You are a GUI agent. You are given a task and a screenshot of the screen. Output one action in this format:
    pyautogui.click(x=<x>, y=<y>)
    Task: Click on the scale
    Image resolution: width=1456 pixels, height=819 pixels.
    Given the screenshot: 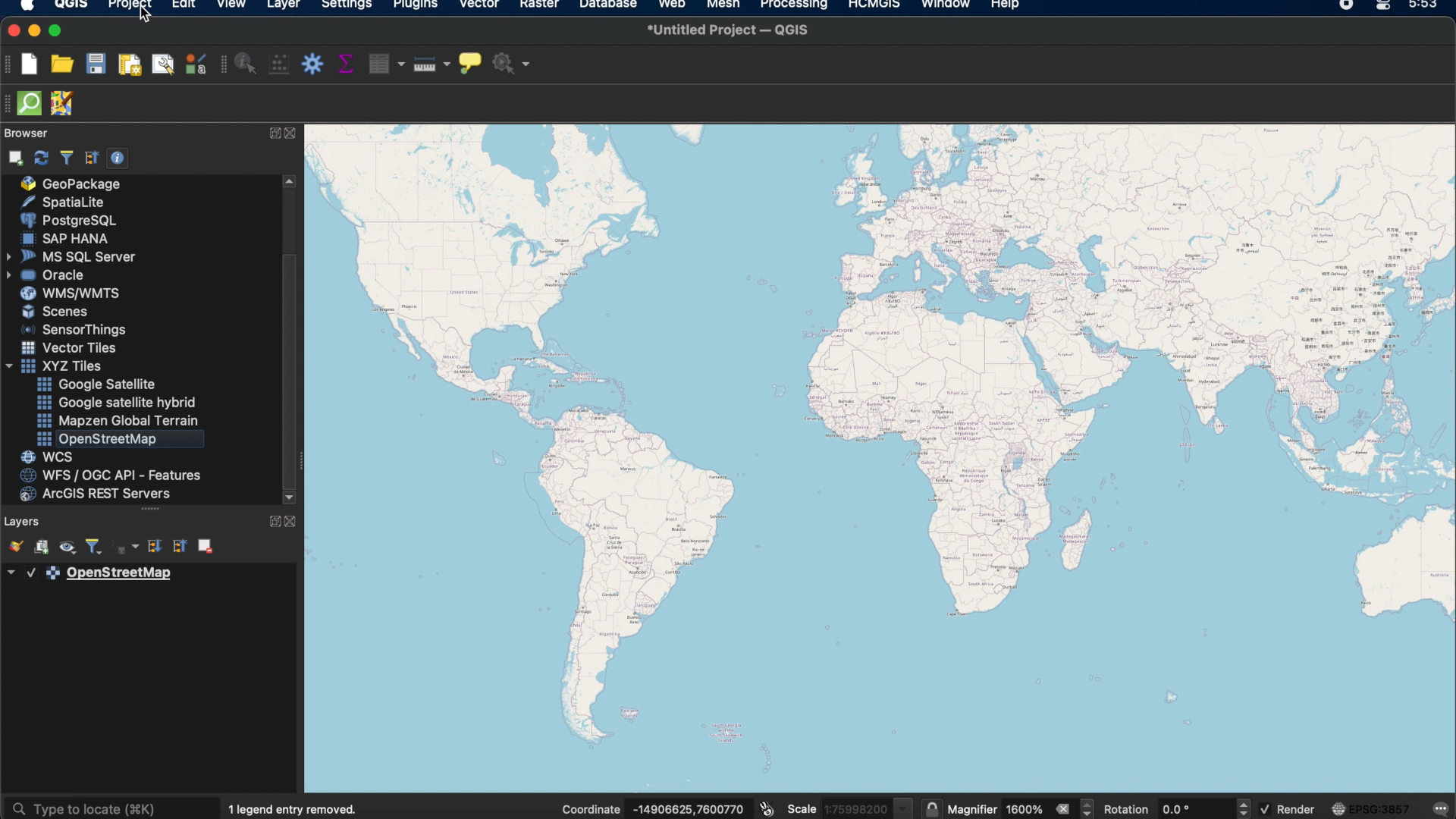 What is the action you would take?
    pyautogui.click(x=852, y=806)
    